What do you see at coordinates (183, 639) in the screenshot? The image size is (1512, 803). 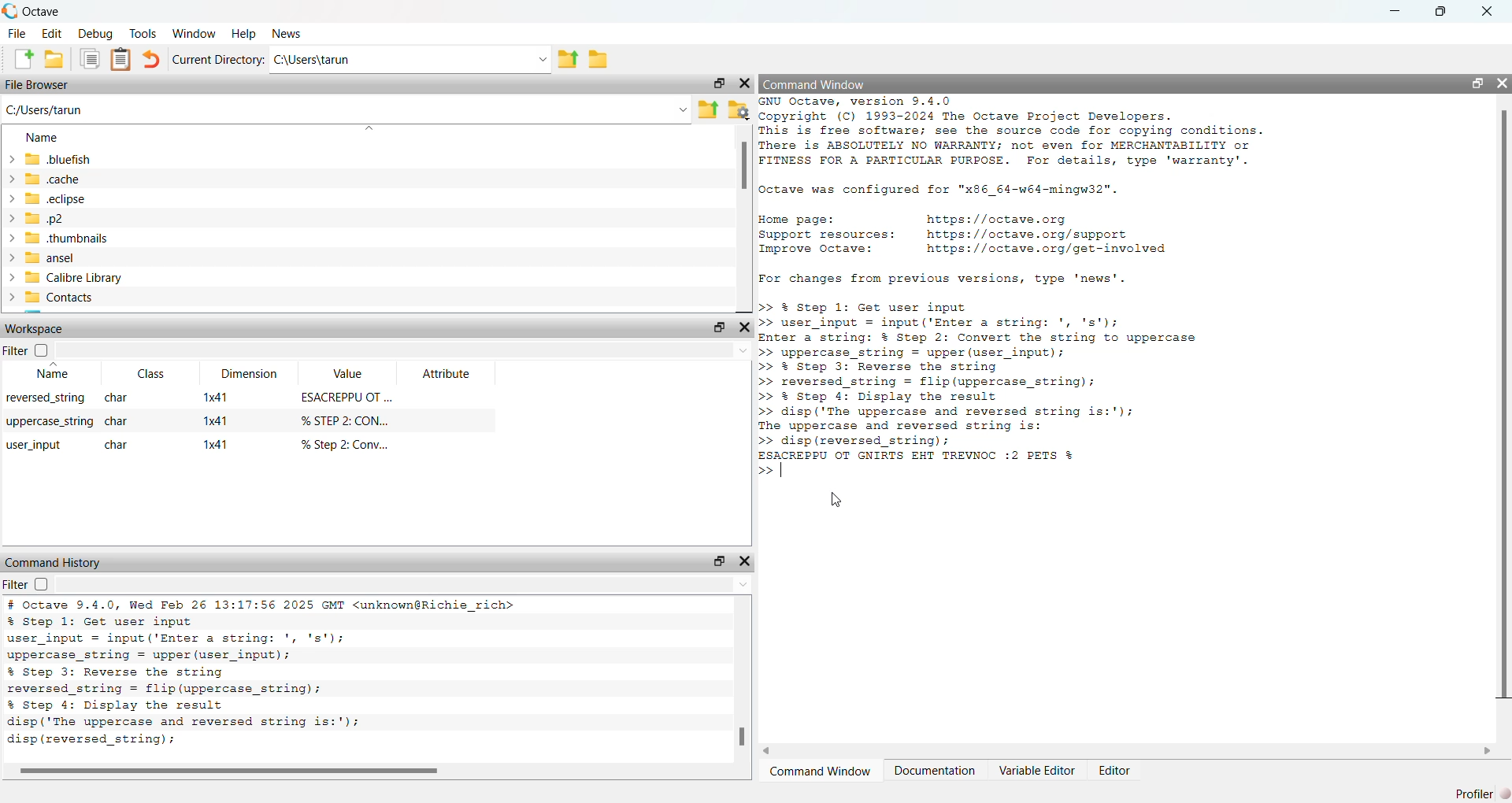 I see `code to input a string and uppercase it` at bounding box center [183, 639].